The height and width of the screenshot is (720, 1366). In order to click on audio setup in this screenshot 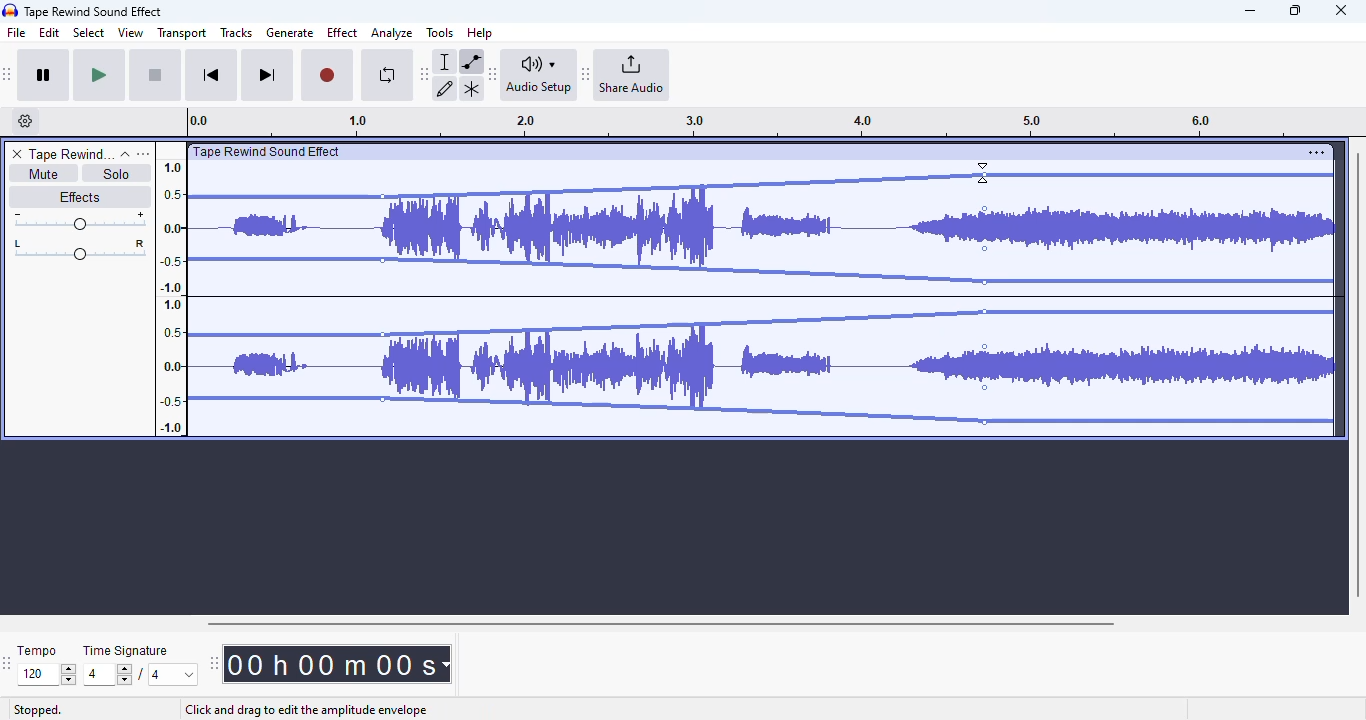, I will do `click(539, 74)`.